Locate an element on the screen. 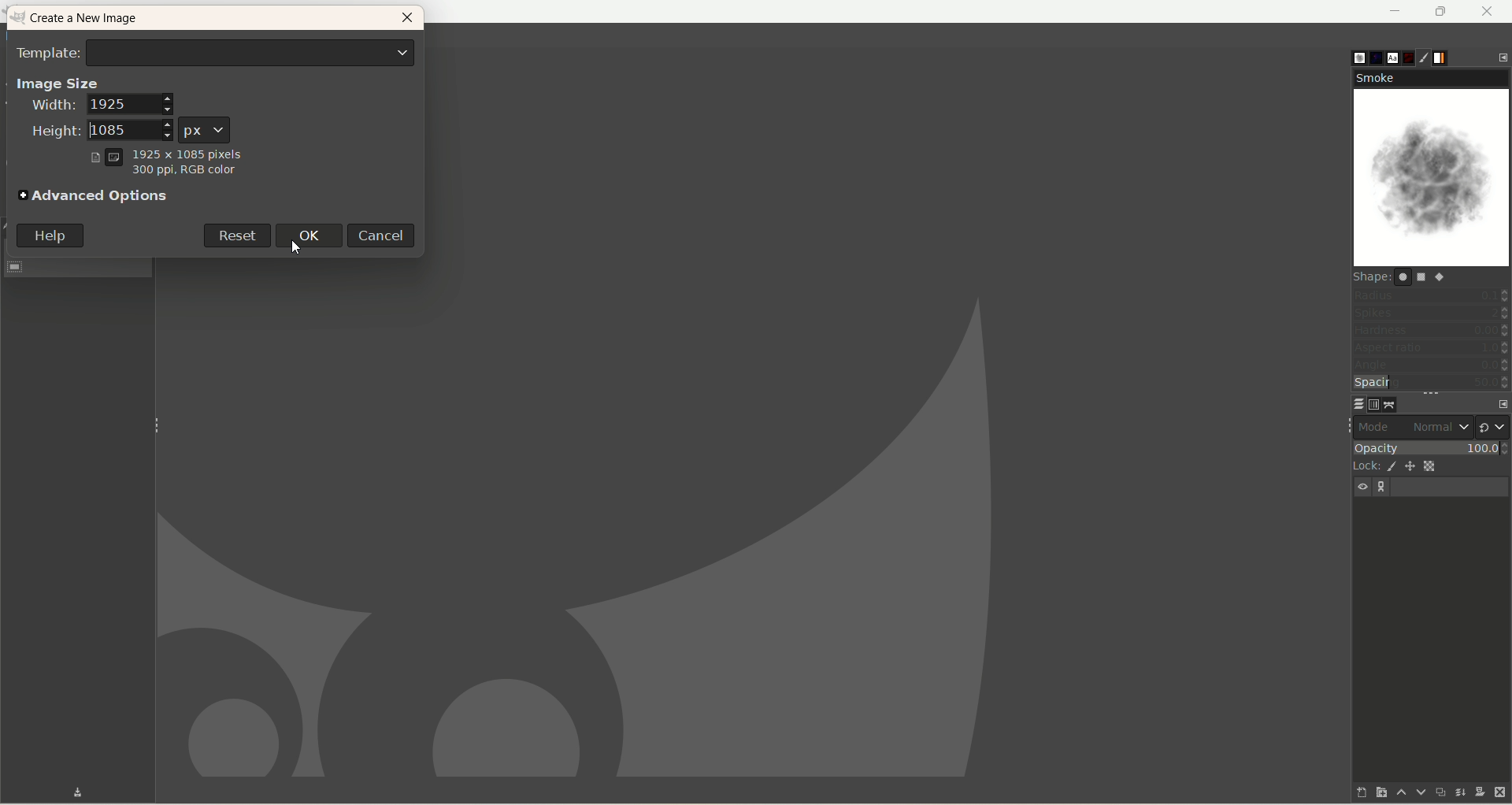 The height and width of the screenshot is (805, 1512). merge this layer is located at coordinates (1458, 790).